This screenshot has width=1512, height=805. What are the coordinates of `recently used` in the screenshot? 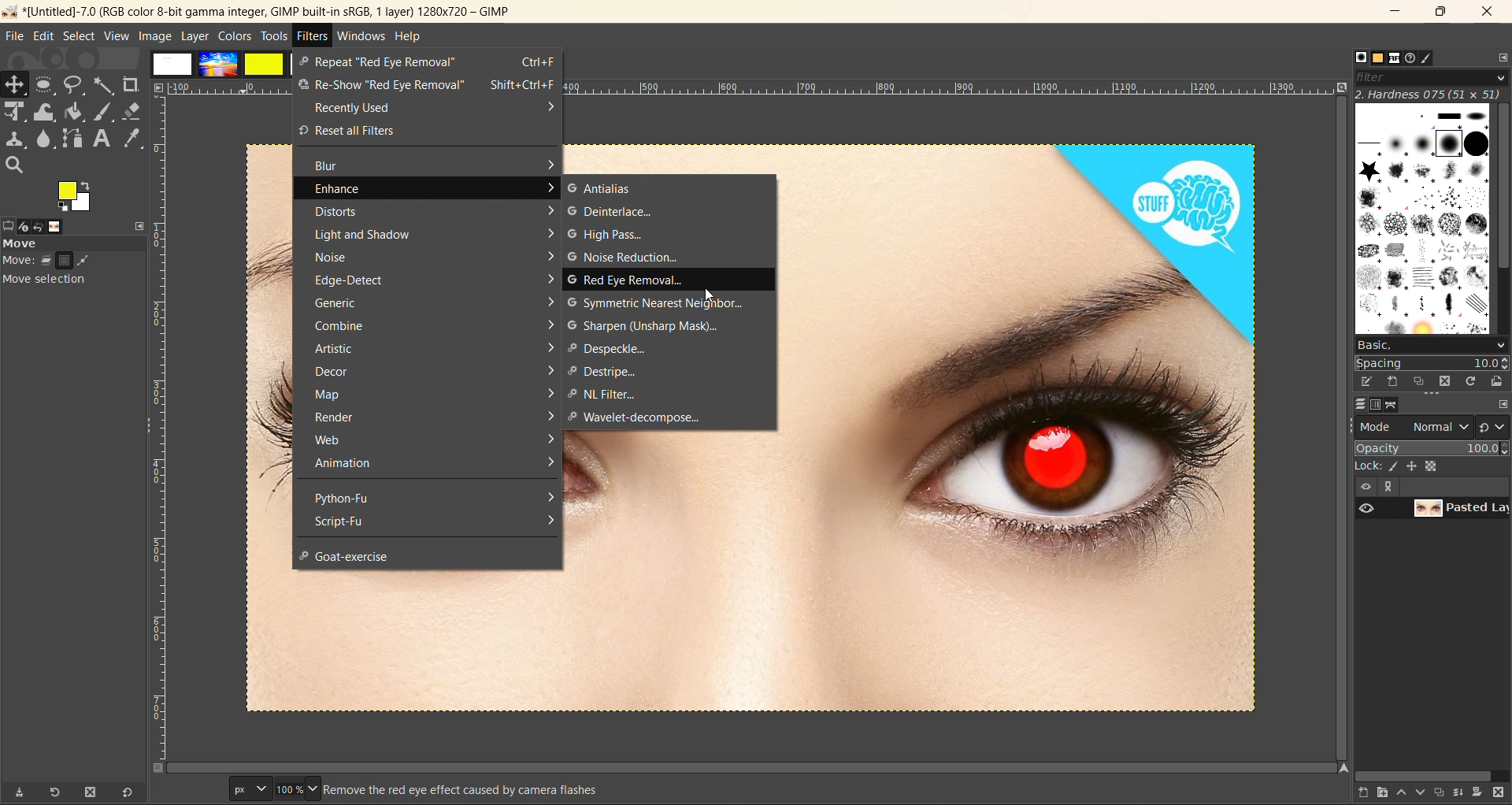 It's located at (427, 106).